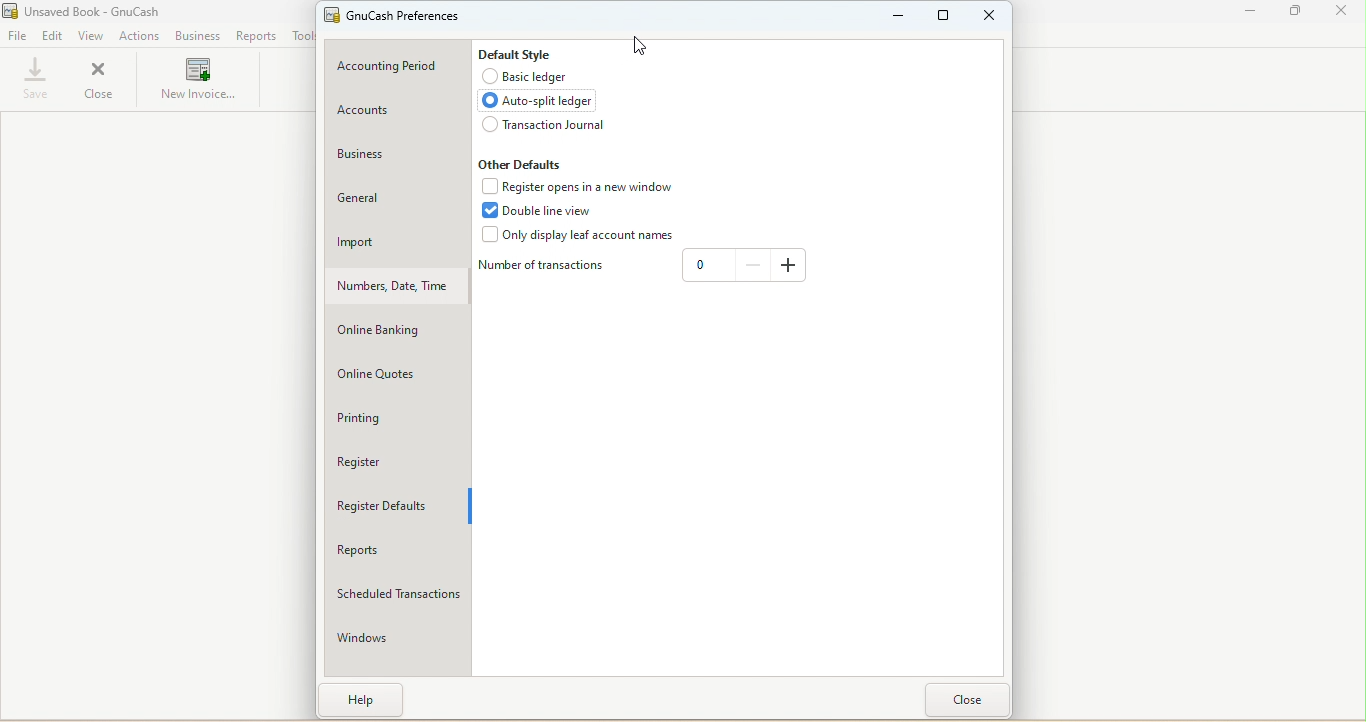 This screenshot has height=722, width=1366. What do you see at coordinates (544, 100) in the screenshot?
I see `Auto split ledger` at bounding box center [544, 100].